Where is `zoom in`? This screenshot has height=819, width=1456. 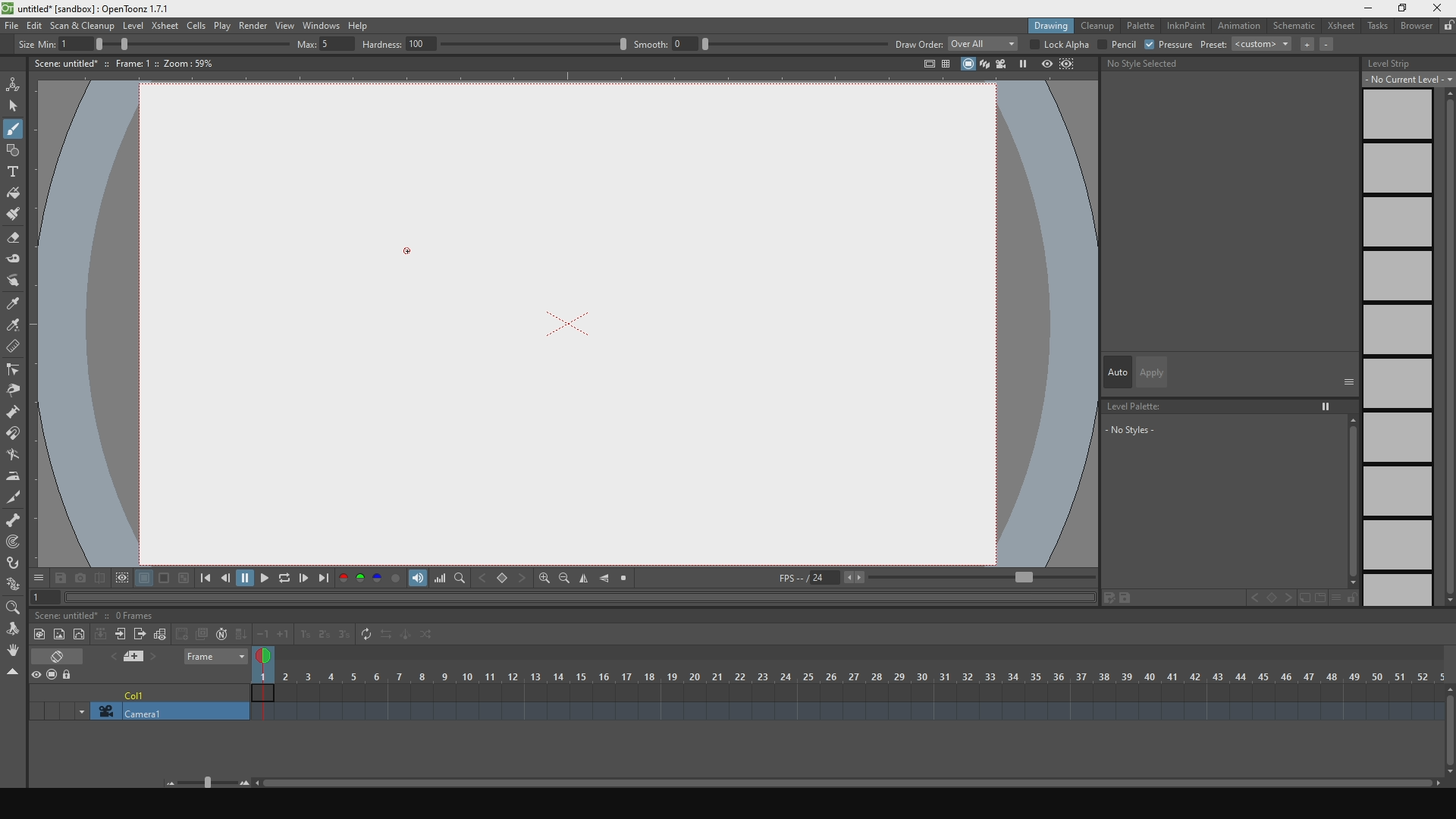
zoom in is located at coordinates (544, 579).